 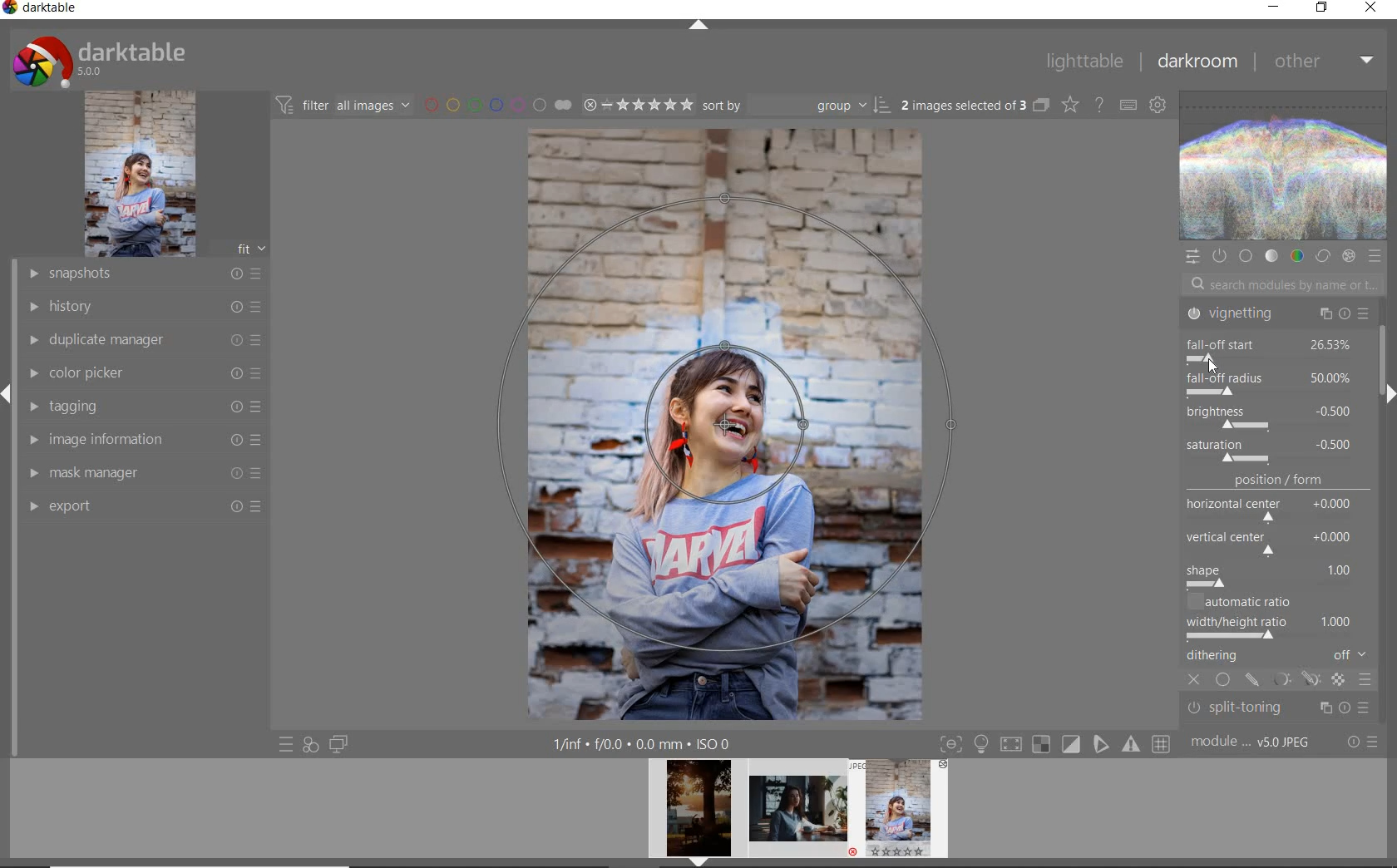 I want to click on blending options, so click(x=1365, y=682).